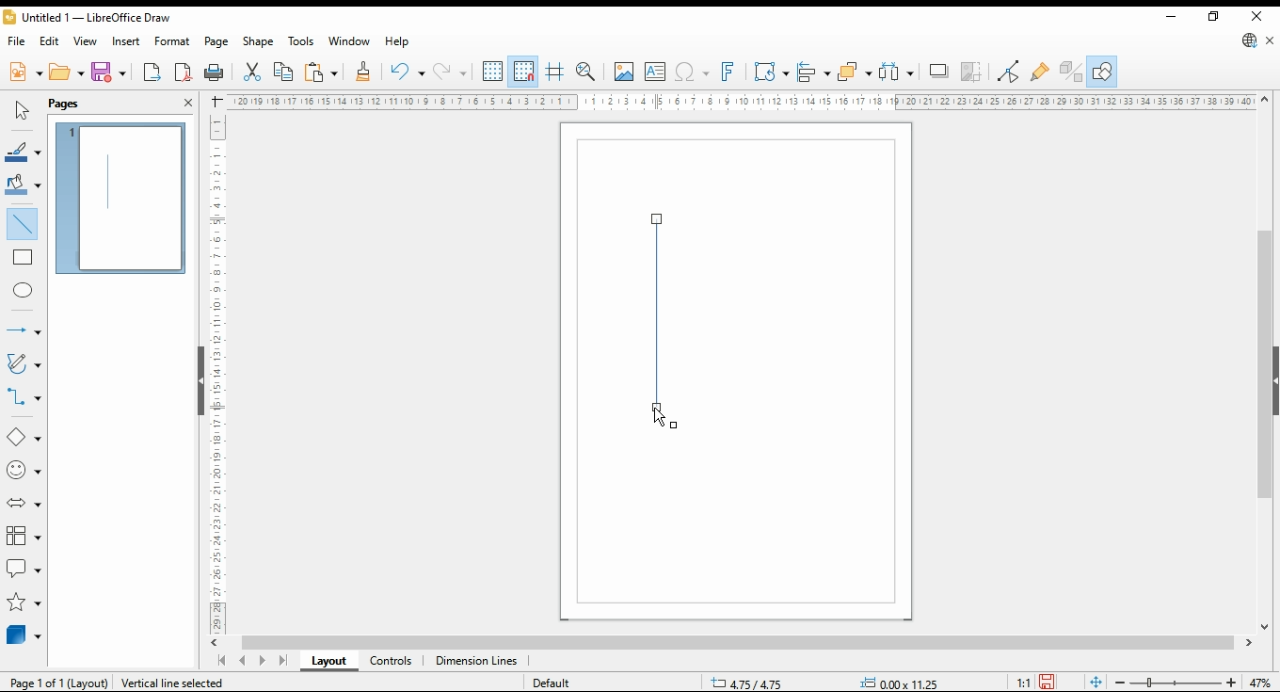 The width and height of the screenshot is (1280, 692). I want to click on help, so click(397, 42).